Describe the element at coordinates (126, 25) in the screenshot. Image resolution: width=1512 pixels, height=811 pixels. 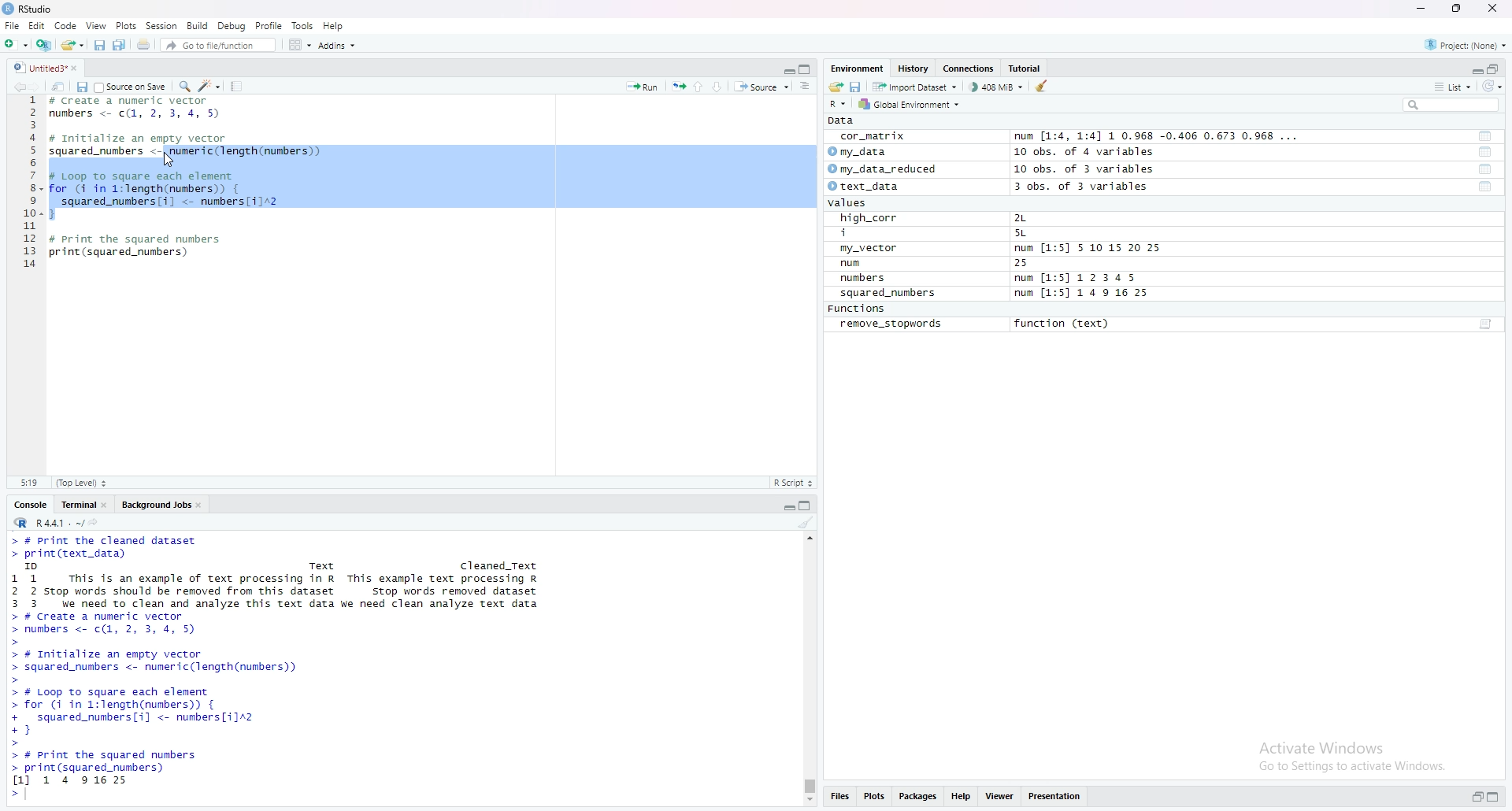
I see `Plots` at that location.